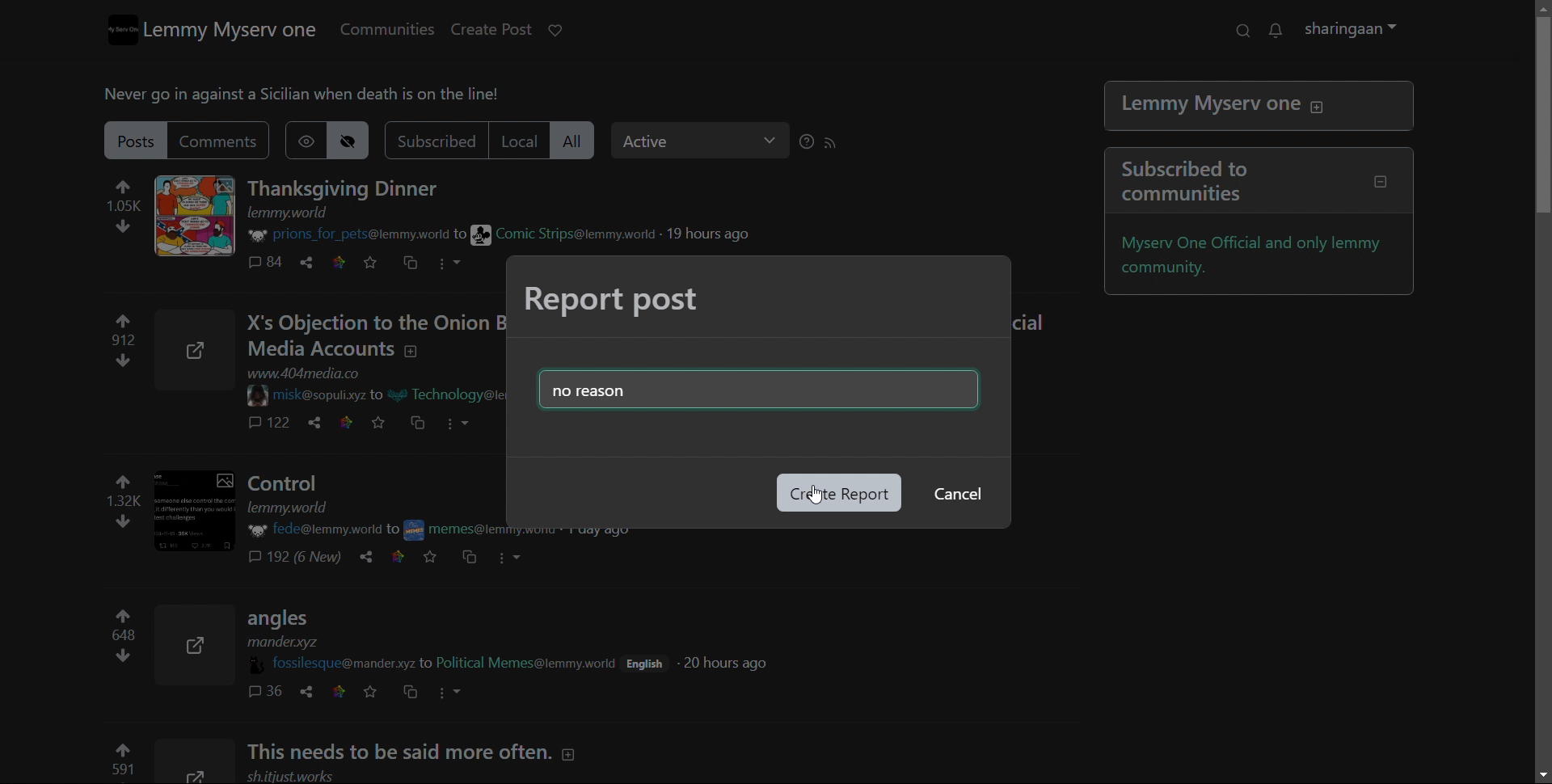 The width and height of the screenshot is (1552, 784). Describe the element at coordinates (297, 213) in the screenshot. I see `URL` at that location.